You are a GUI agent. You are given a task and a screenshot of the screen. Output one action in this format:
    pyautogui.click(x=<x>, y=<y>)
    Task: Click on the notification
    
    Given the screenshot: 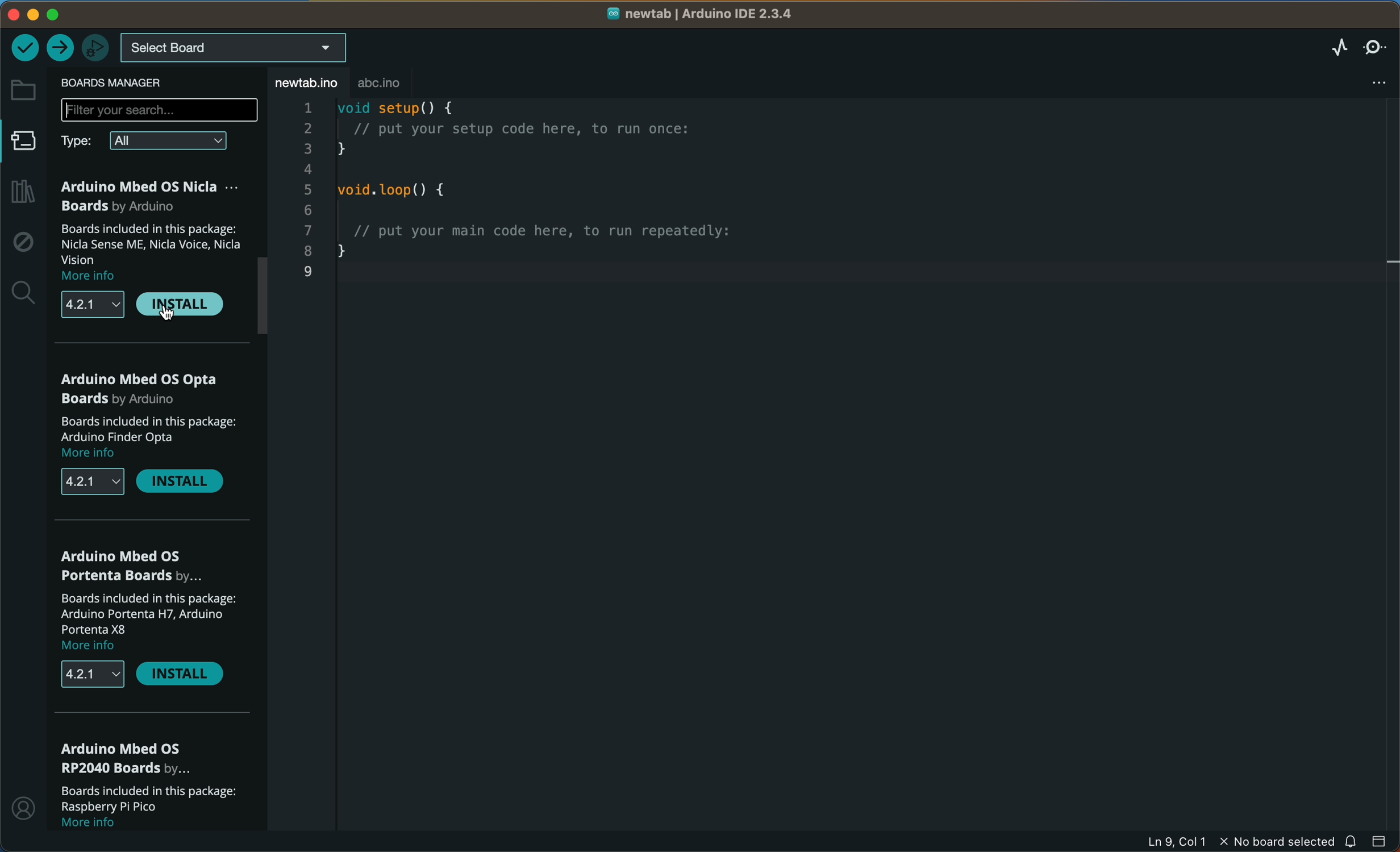 What is the action you would take?
    pyautogui.click(x=1355, y=842)
    